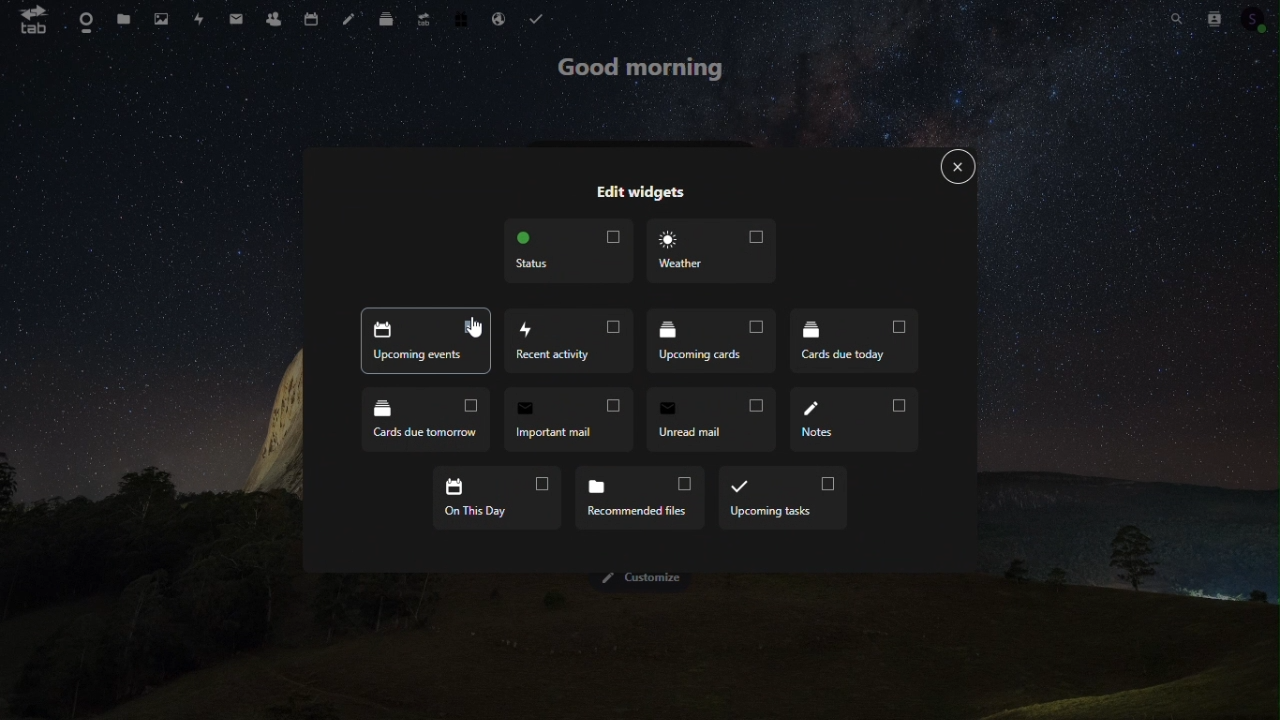  What do you see at coordinates (710, 251) in the screenshot?
I see `Weather` at bounding box center [710, 251].